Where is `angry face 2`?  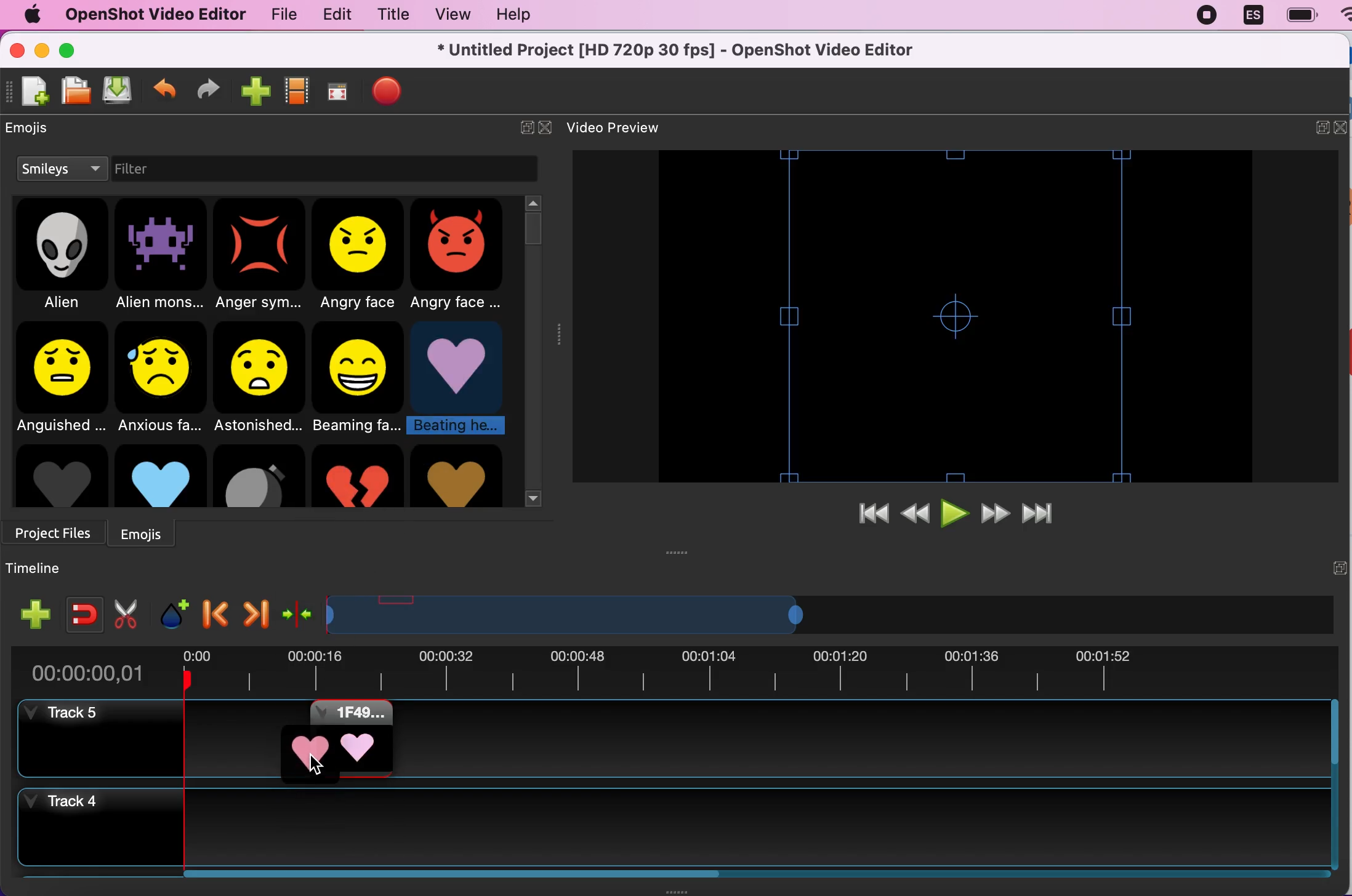 angry face 2 is located at coordinates (461, 257).